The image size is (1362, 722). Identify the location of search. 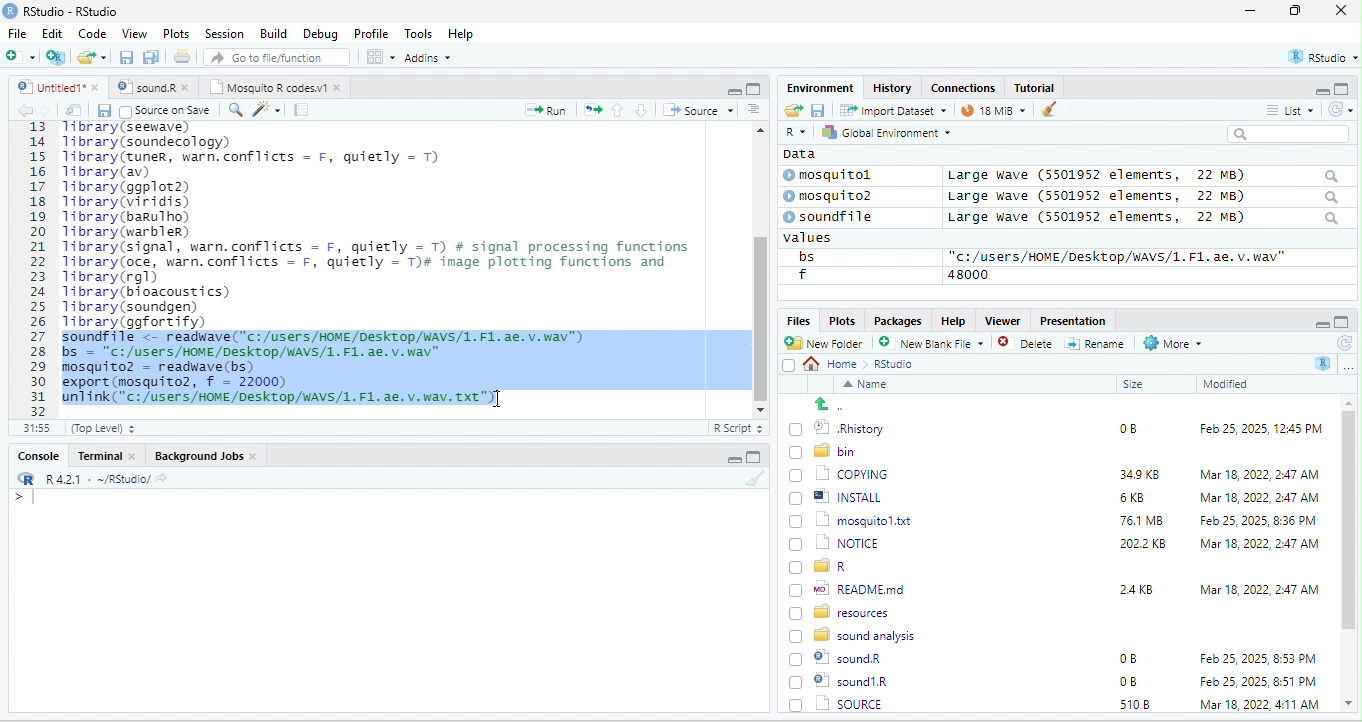
(235, 108).